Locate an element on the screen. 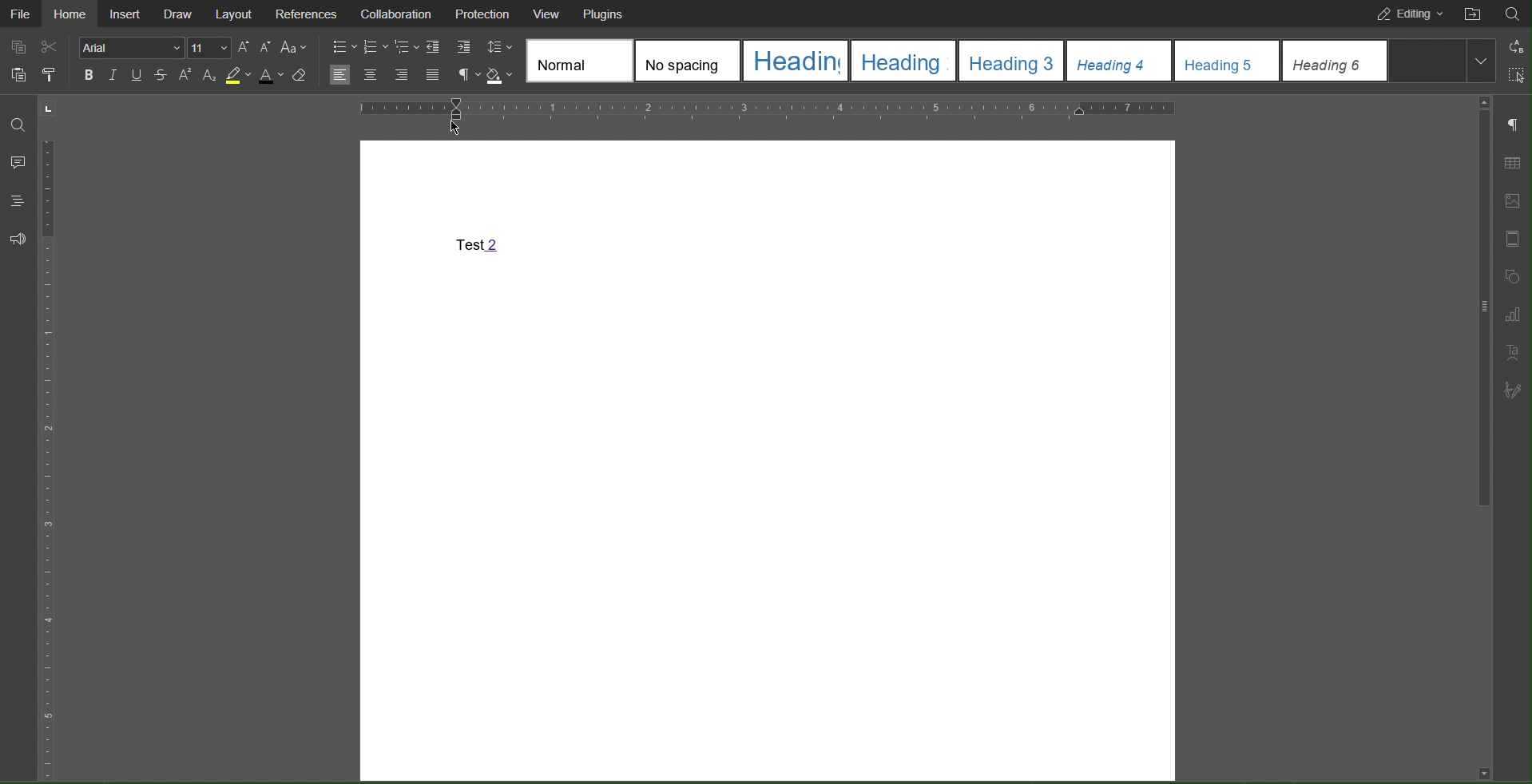 Image resolution: width=1532 pixels, height=784 pixels. Image Settings is located at coordinates (1516, 200).